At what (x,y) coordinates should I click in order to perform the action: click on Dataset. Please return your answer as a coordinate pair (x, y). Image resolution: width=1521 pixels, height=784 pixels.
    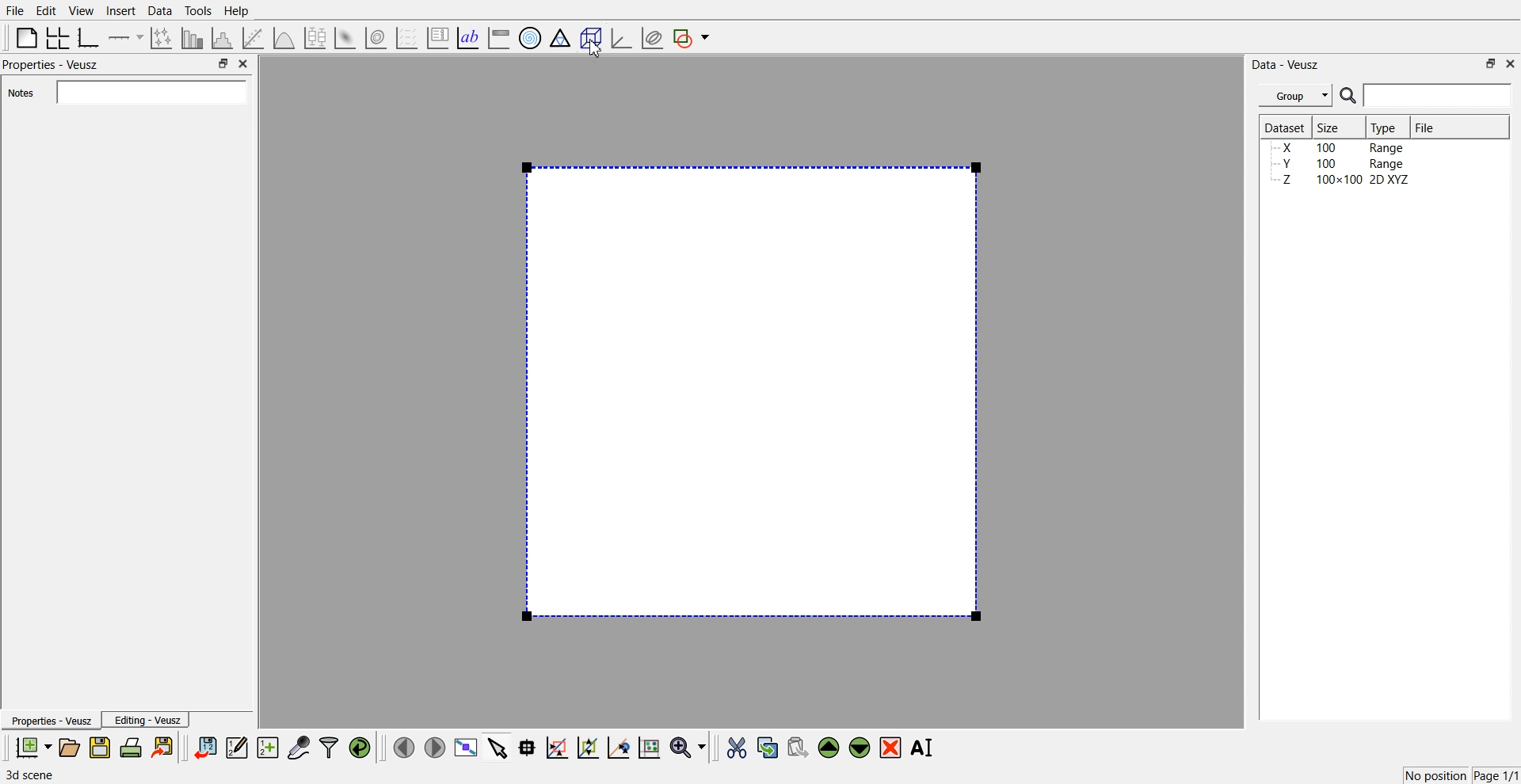
    Looking at the image, I should click on (1285, 127).